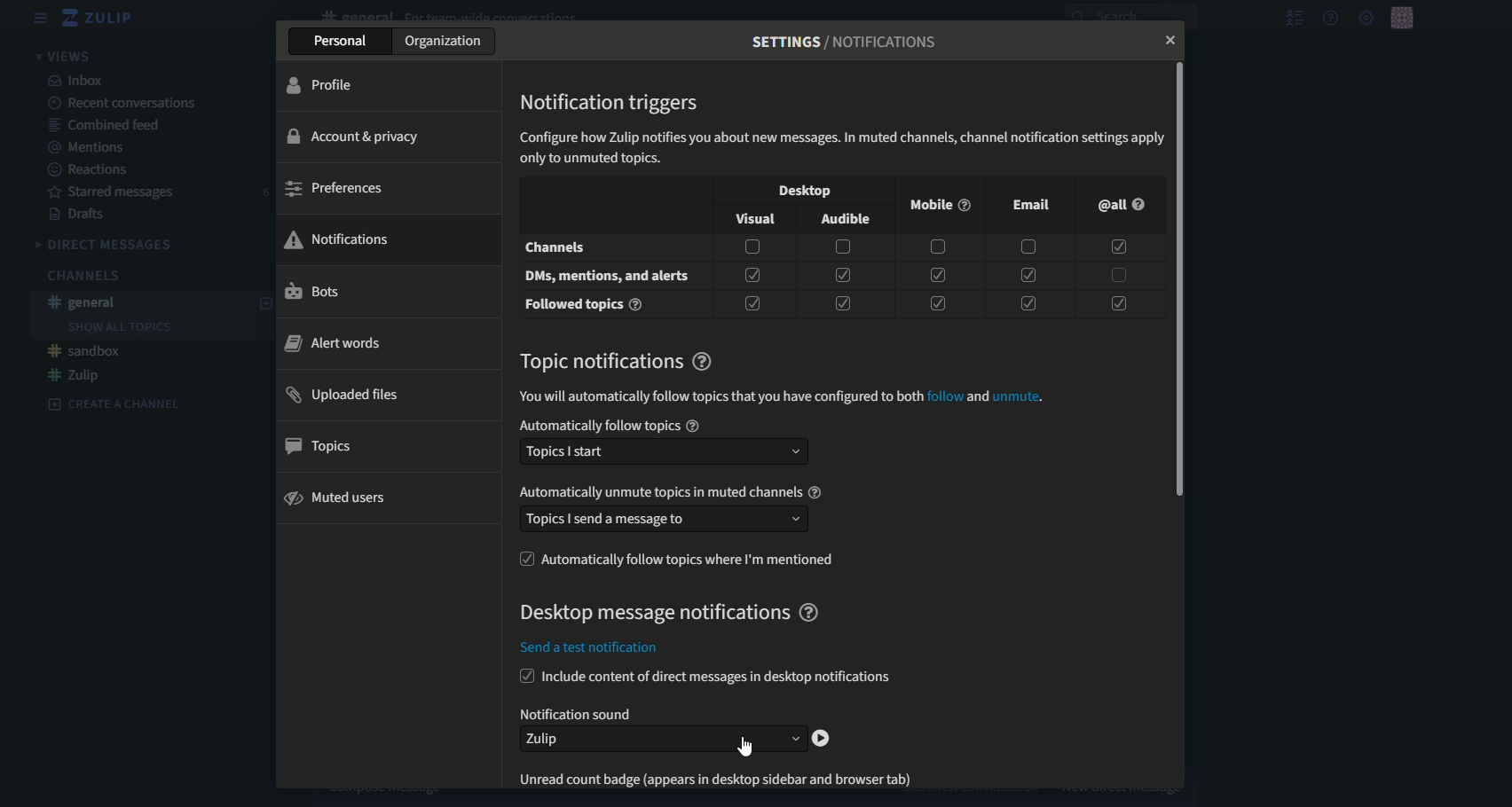 Image resolution: width=1512 pixels, height=807 pixels. Describe the element at coordinates (359, 136) in the screenshot. I see `account and privacy` at that location.